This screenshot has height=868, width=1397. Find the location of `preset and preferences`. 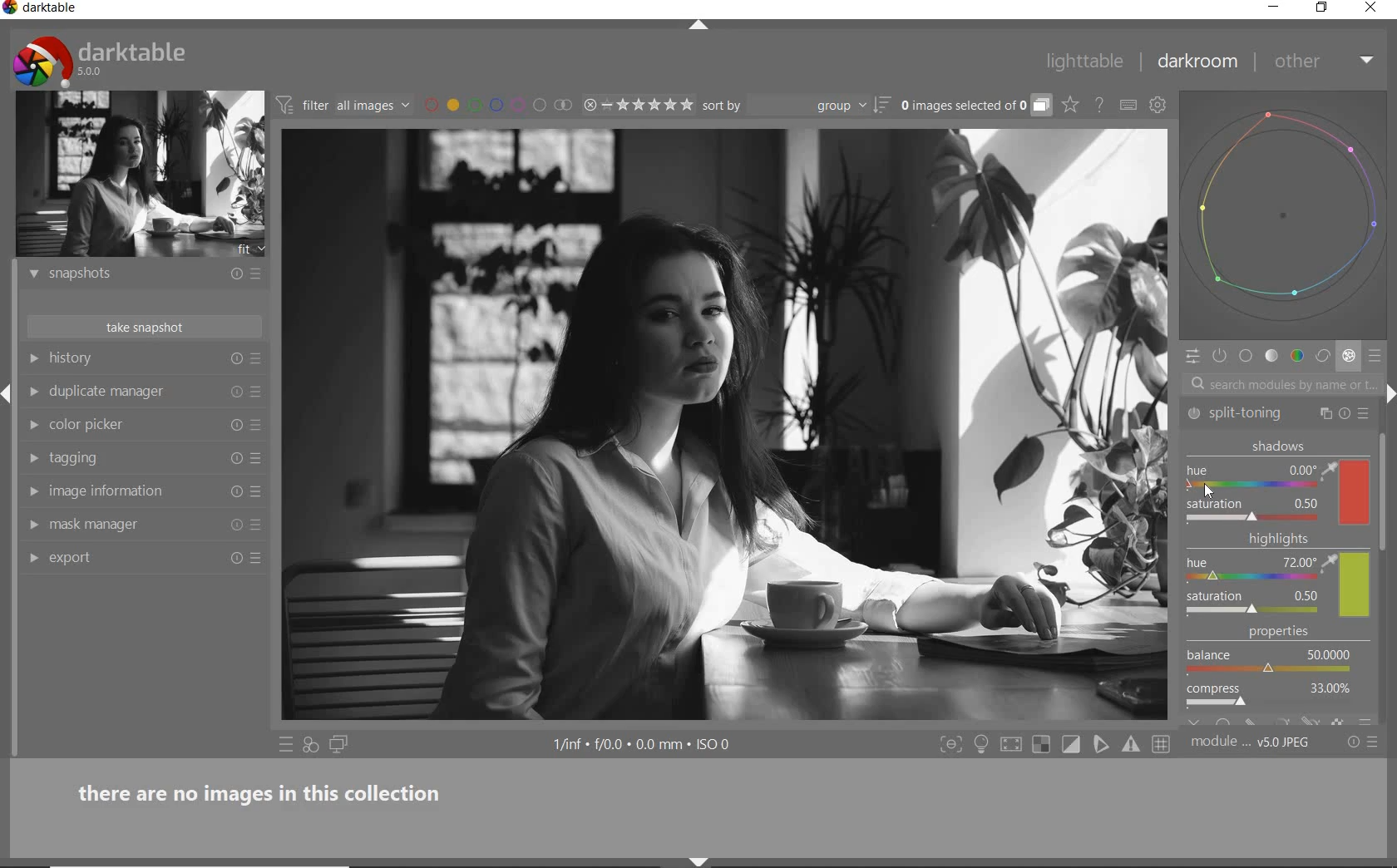

preset and preferences is located at coordinates (260, 426).